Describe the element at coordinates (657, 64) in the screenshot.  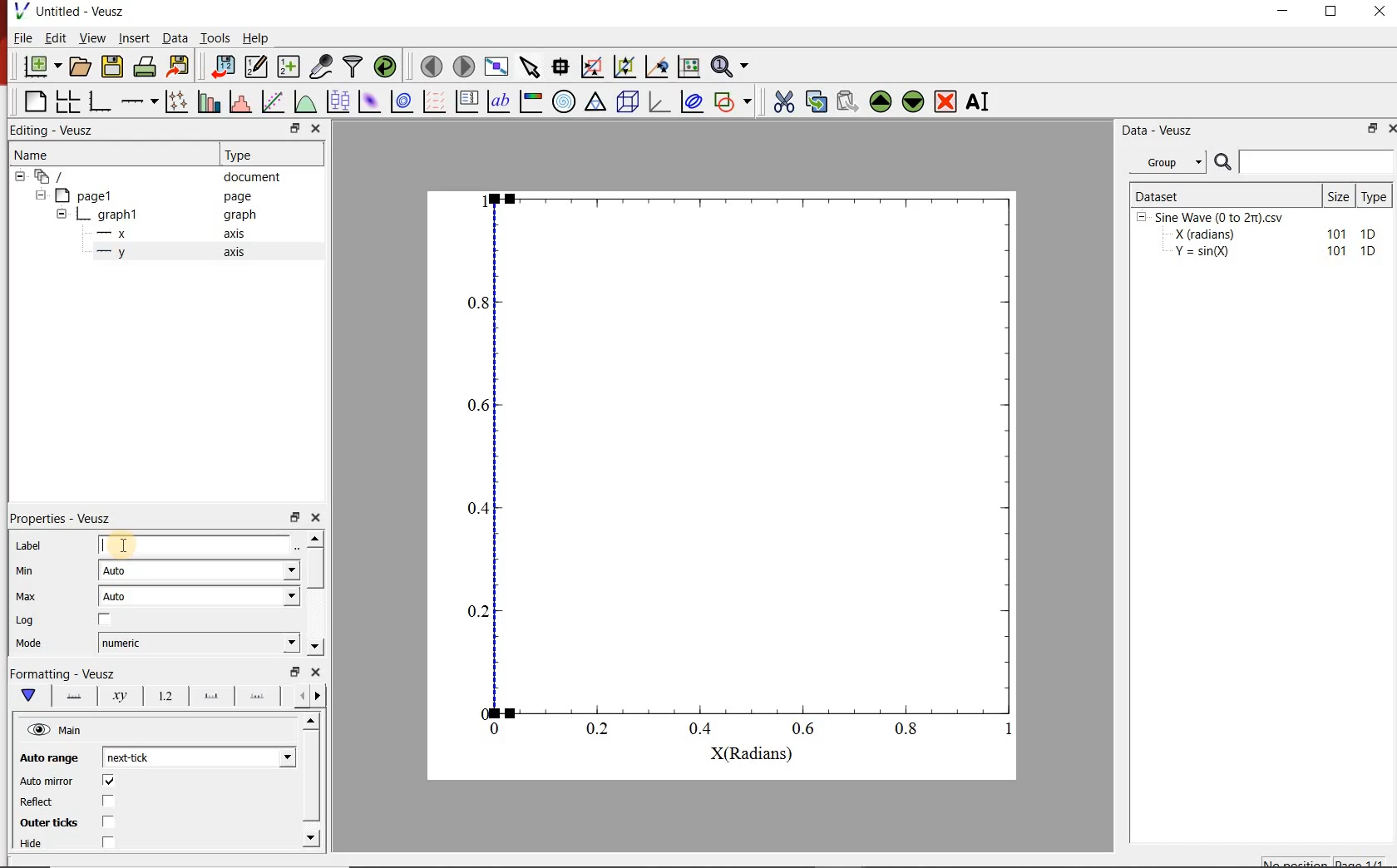
I see `click to recentre graph` at that location.